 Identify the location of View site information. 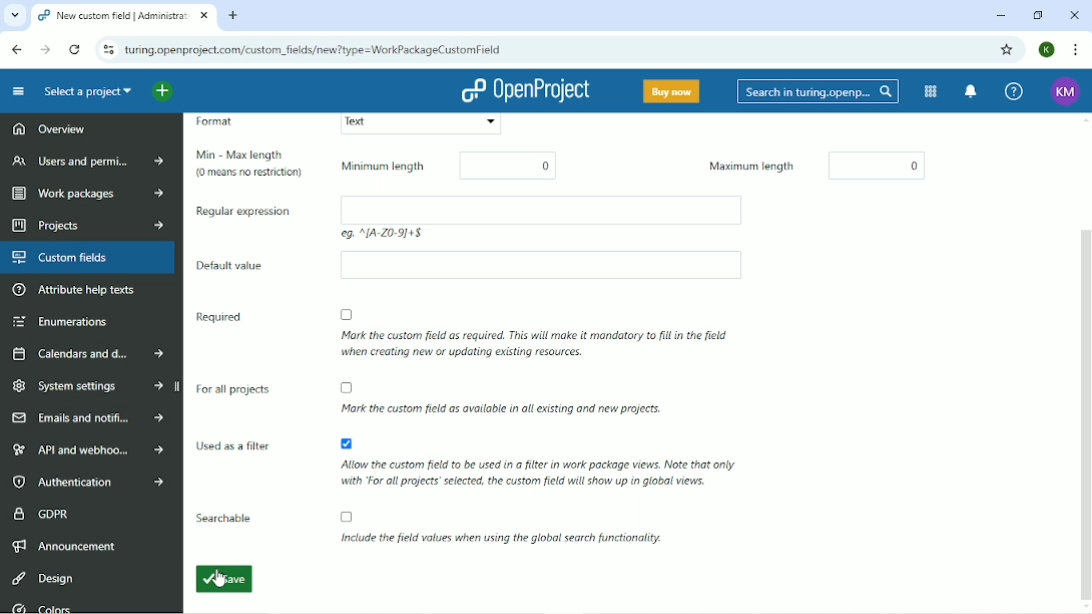
(107, 50).